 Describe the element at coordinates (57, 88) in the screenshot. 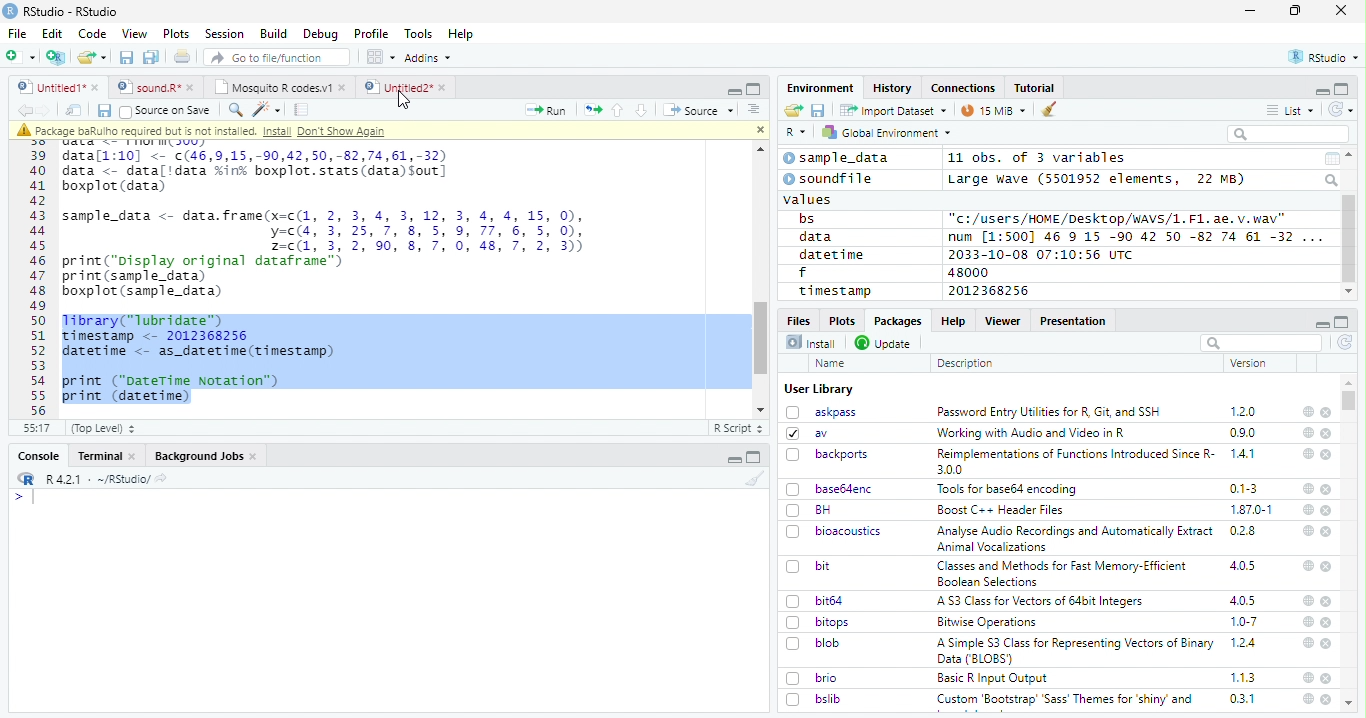

I see `Untitled1*` at that location.